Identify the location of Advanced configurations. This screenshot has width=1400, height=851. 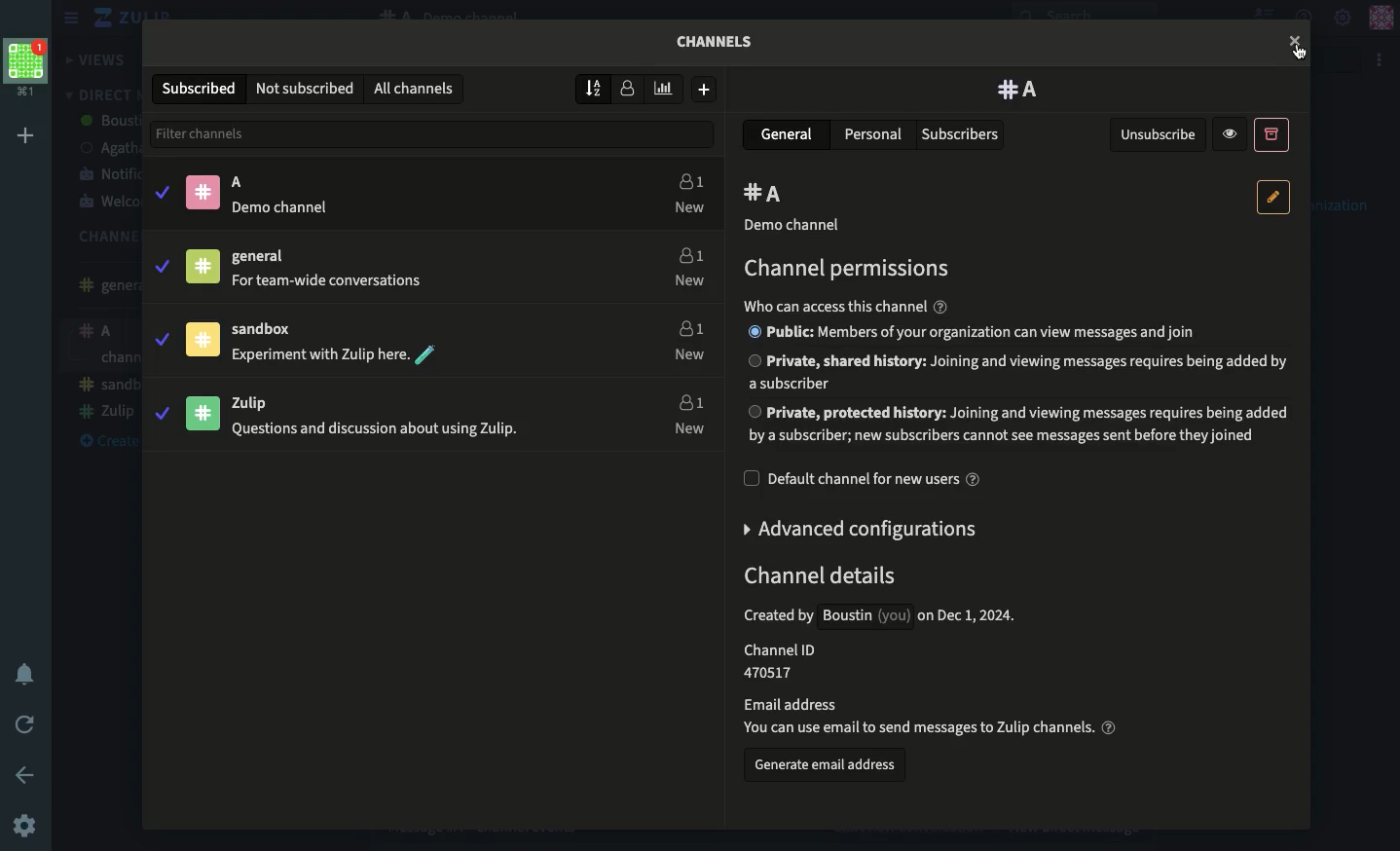
(863, 529).